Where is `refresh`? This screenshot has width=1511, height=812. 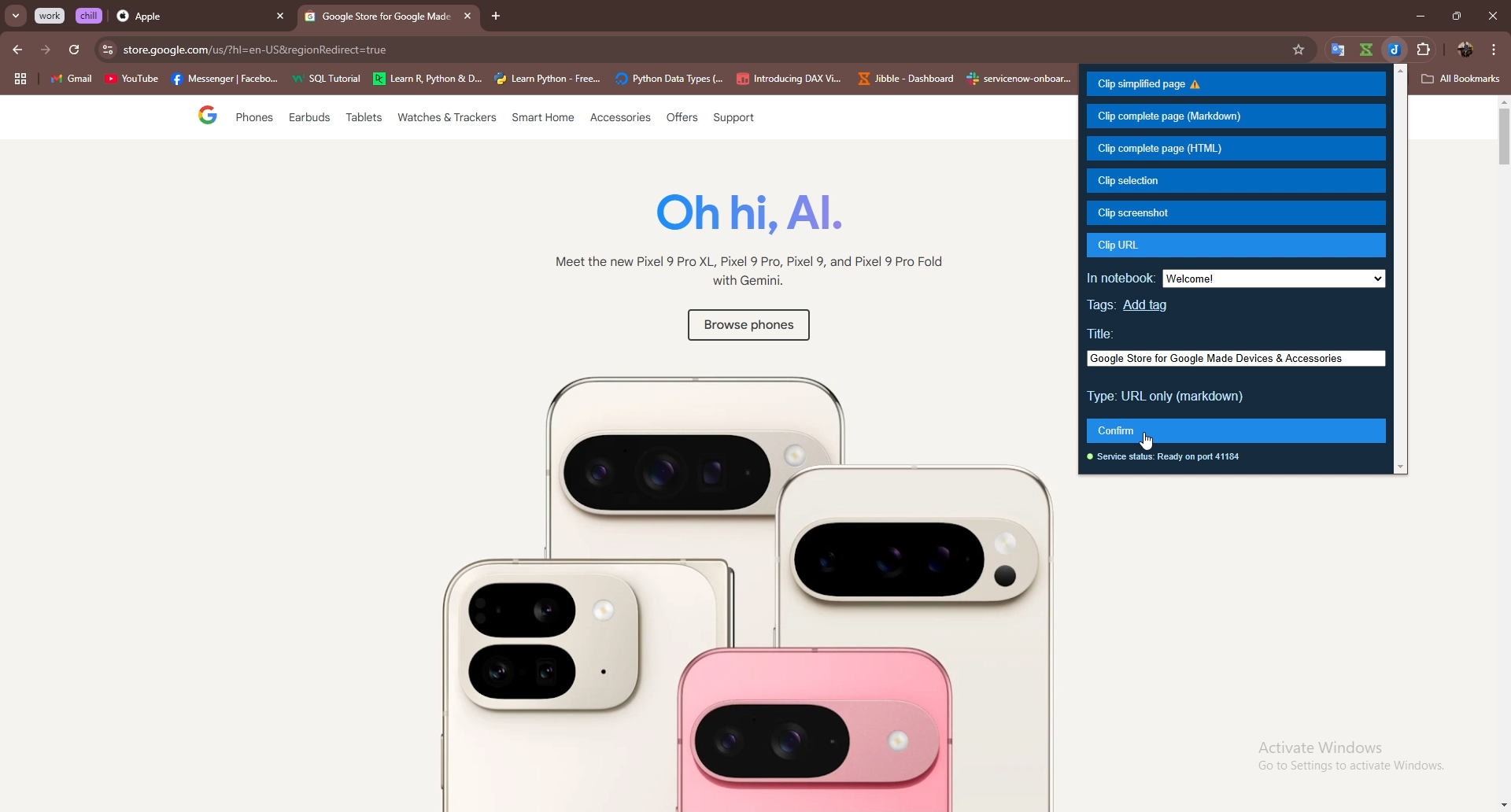 refresh is located at coordinates (74, 50).